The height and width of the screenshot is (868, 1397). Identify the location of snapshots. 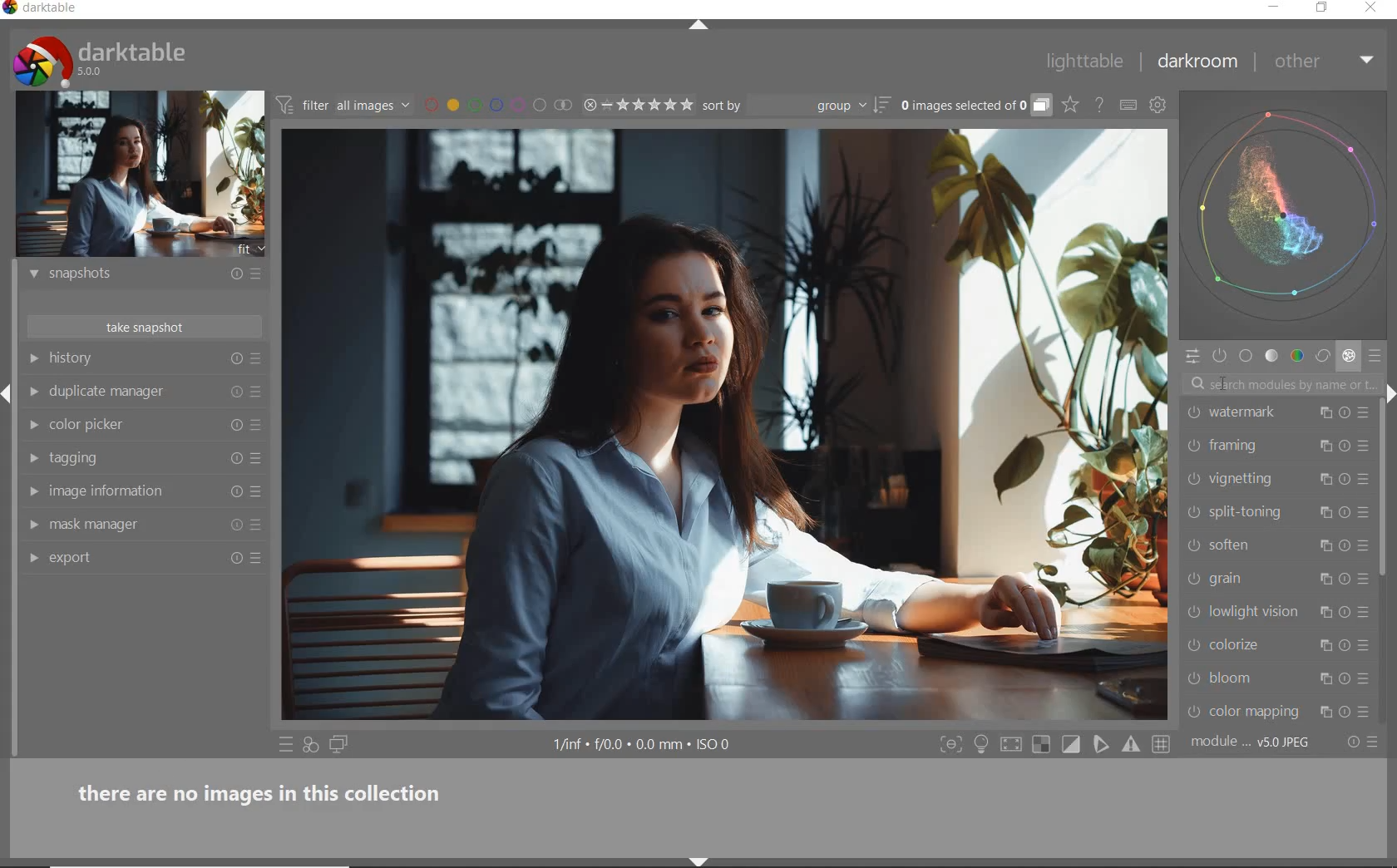
(123, 274).